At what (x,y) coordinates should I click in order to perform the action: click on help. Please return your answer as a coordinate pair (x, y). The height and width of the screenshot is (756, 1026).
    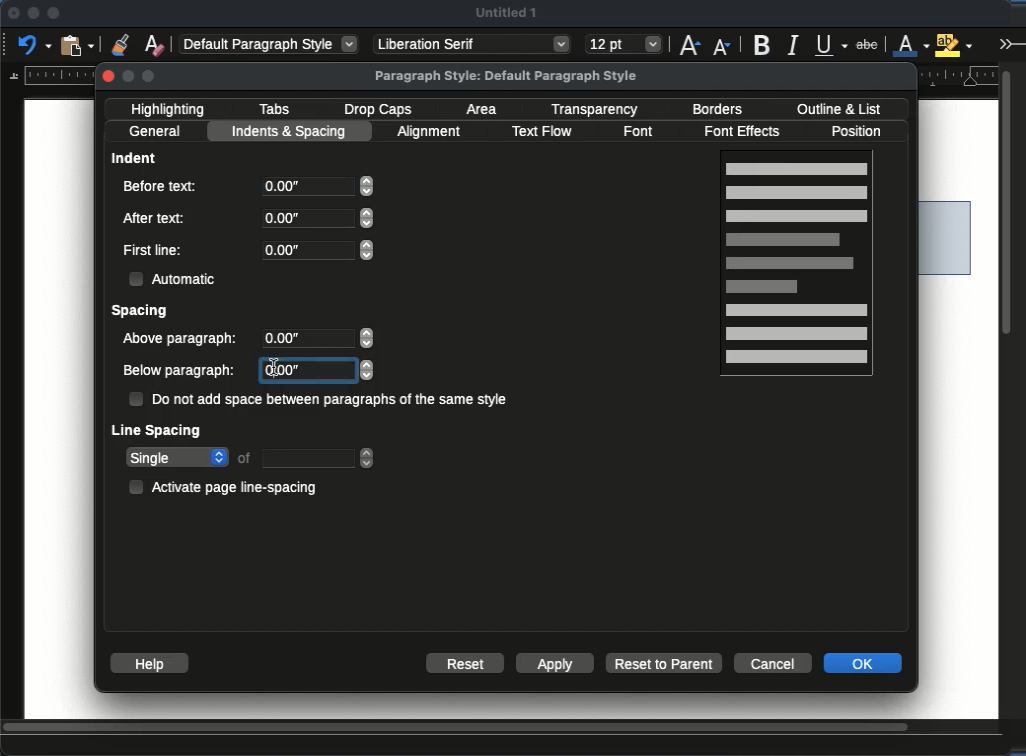
    Looking at the image, I should click on (148, 663).